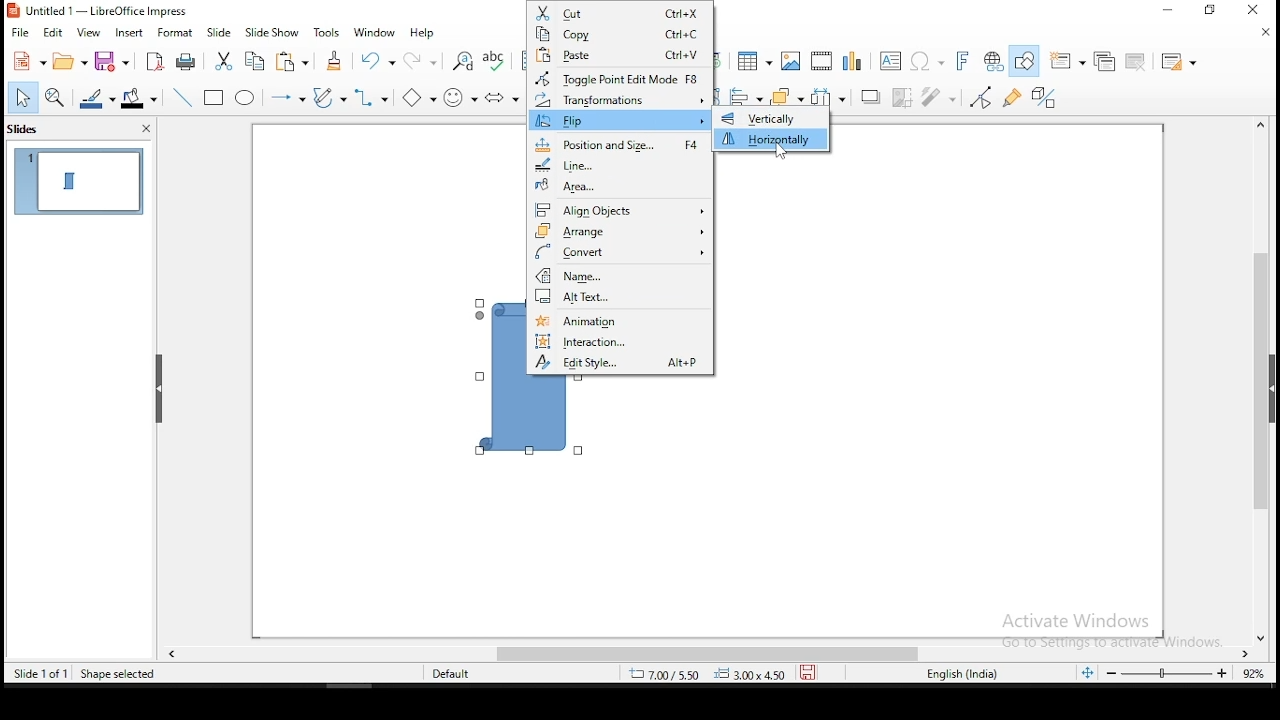  I want to click on convert, so click(617, 252).